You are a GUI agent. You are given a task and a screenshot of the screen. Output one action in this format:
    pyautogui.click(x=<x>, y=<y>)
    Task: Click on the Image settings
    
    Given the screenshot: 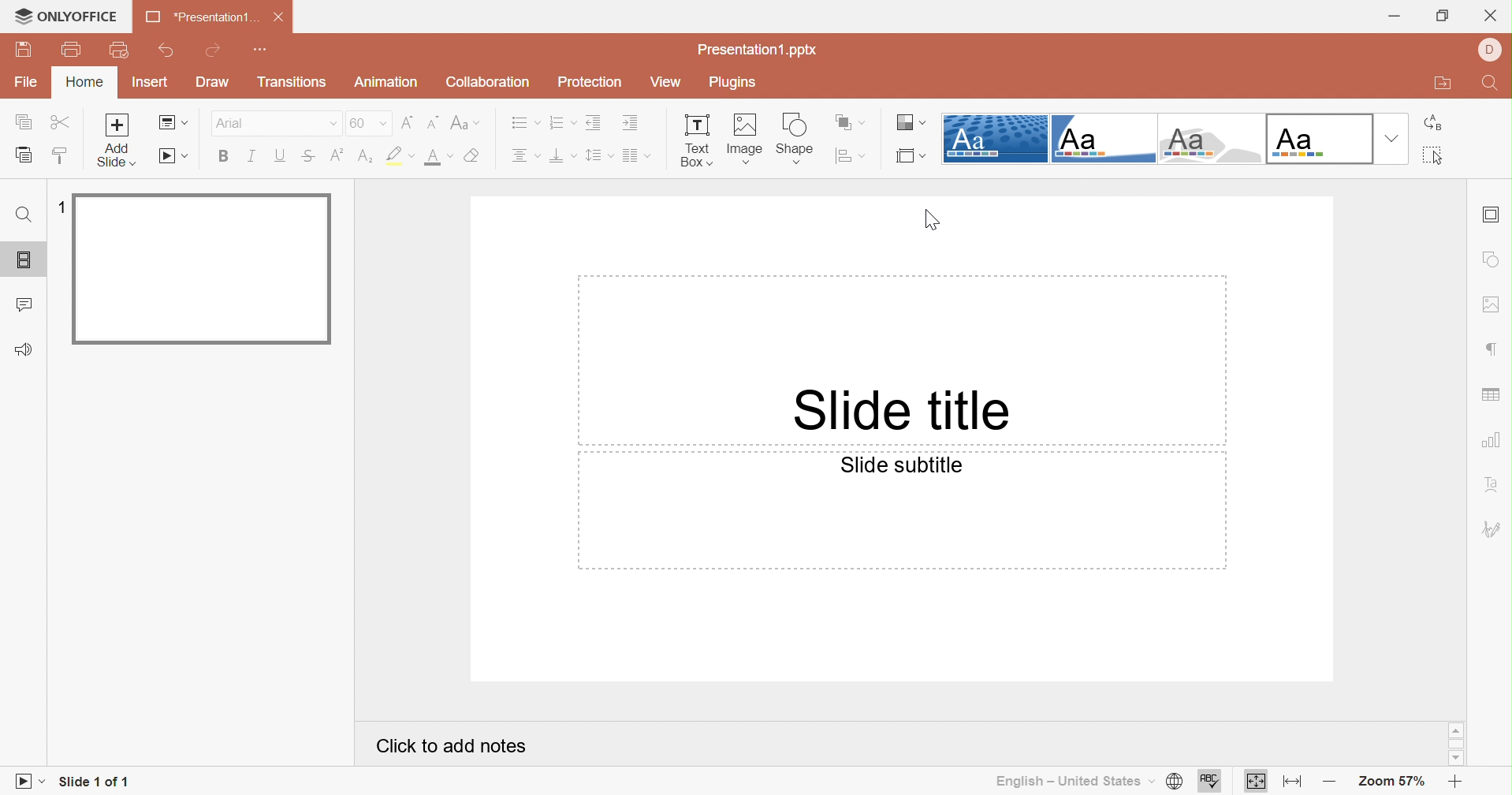 What is the action you would take?
    pyautogui.click(x=1495, y=304)
    